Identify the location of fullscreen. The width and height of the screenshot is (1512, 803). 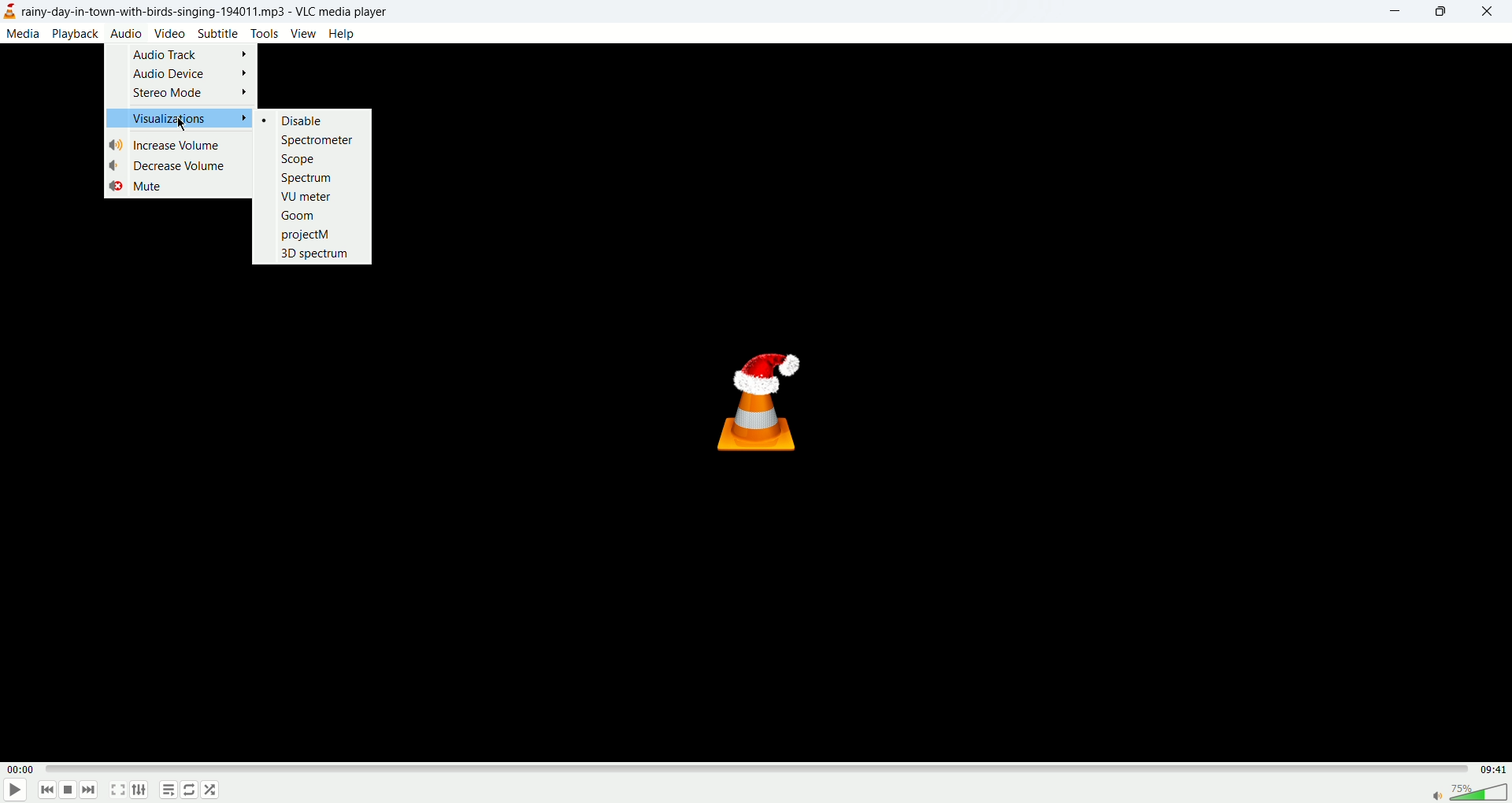
(120, 789).